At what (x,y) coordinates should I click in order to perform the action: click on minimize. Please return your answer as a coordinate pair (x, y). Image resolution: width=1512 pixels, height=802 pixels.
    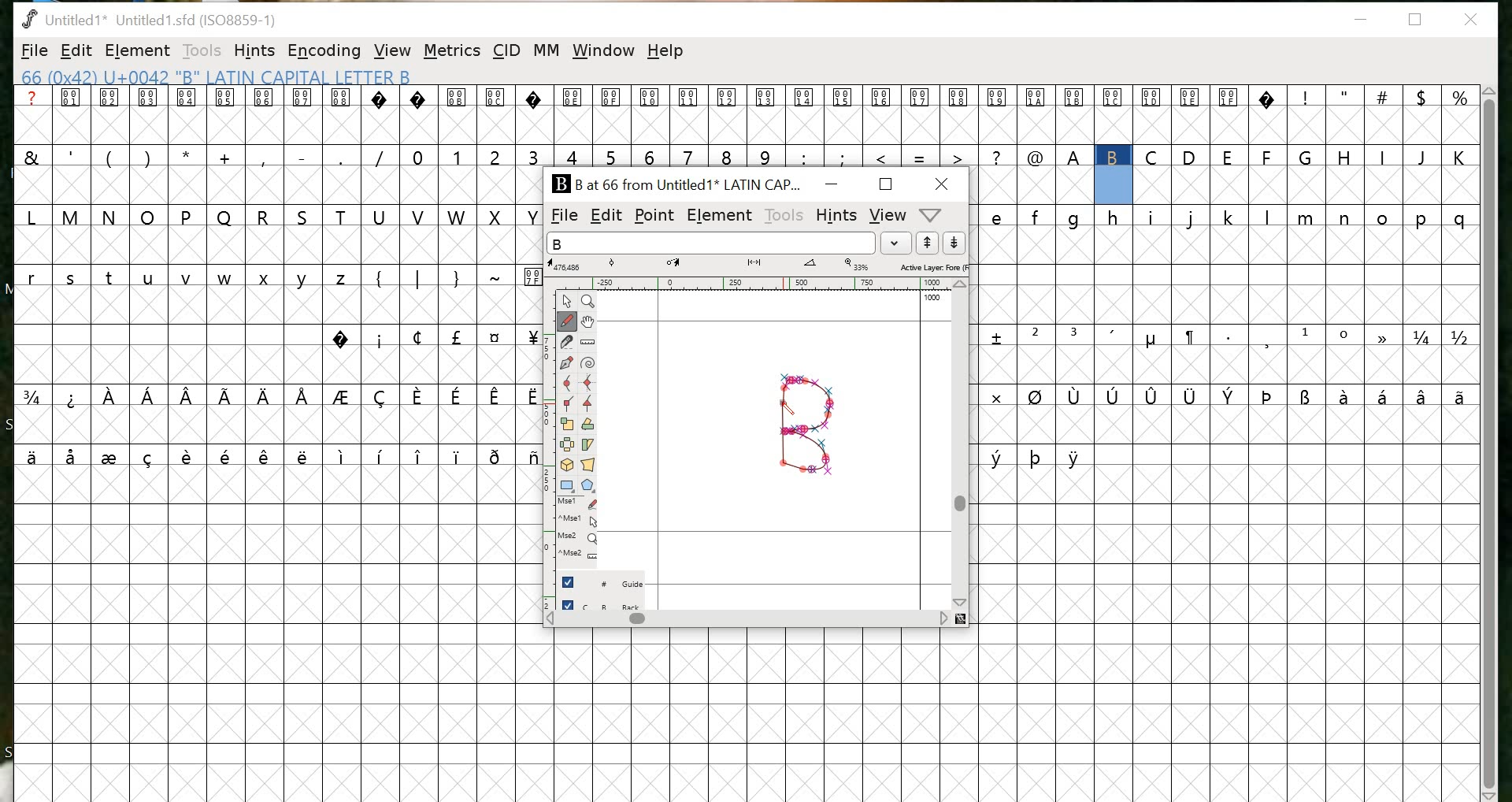
    Looking at the image, I should click on (1366, 20).